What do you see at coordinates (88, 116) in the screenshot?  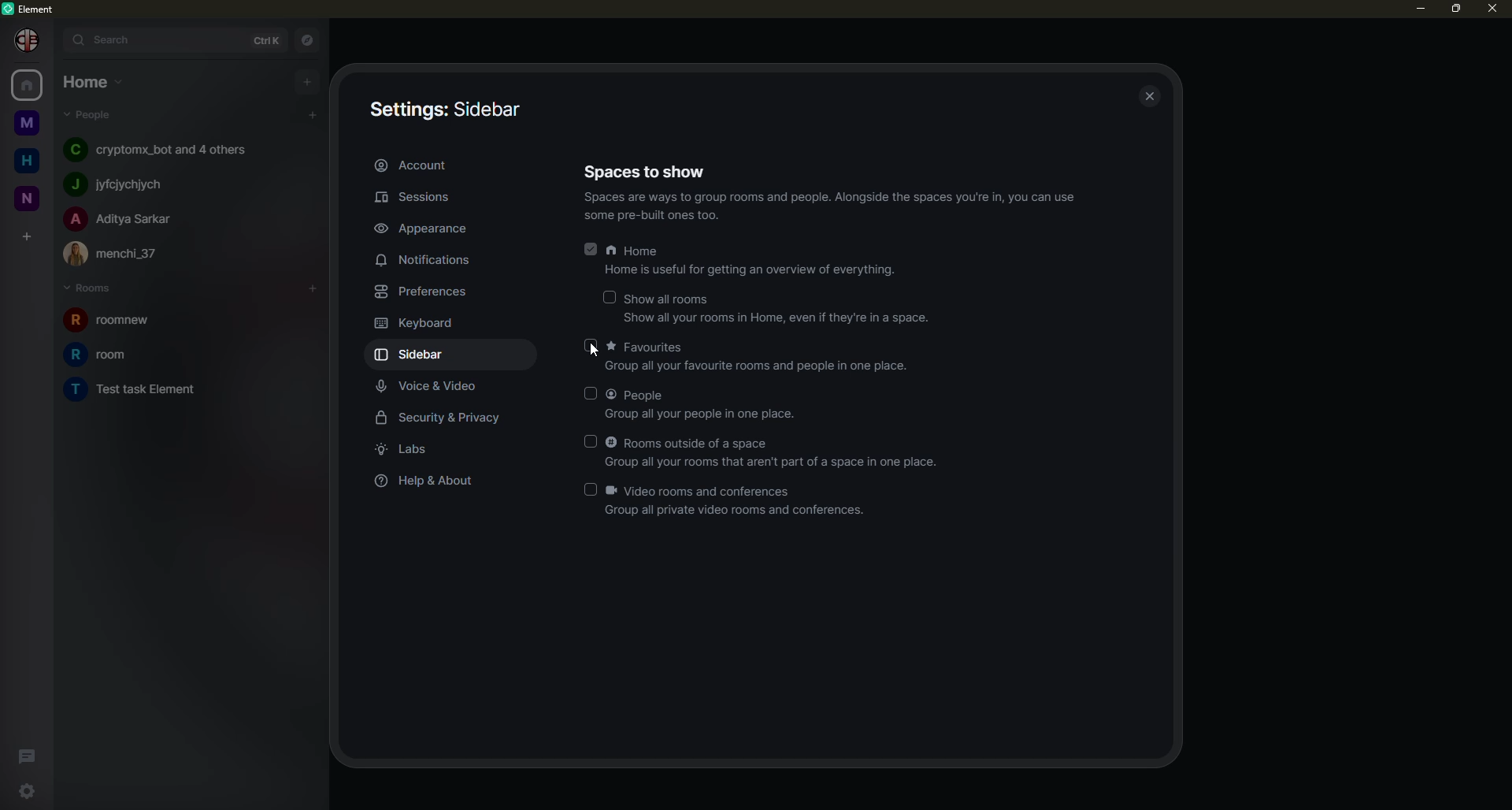 I see `people` at bounding box center [88, 116].